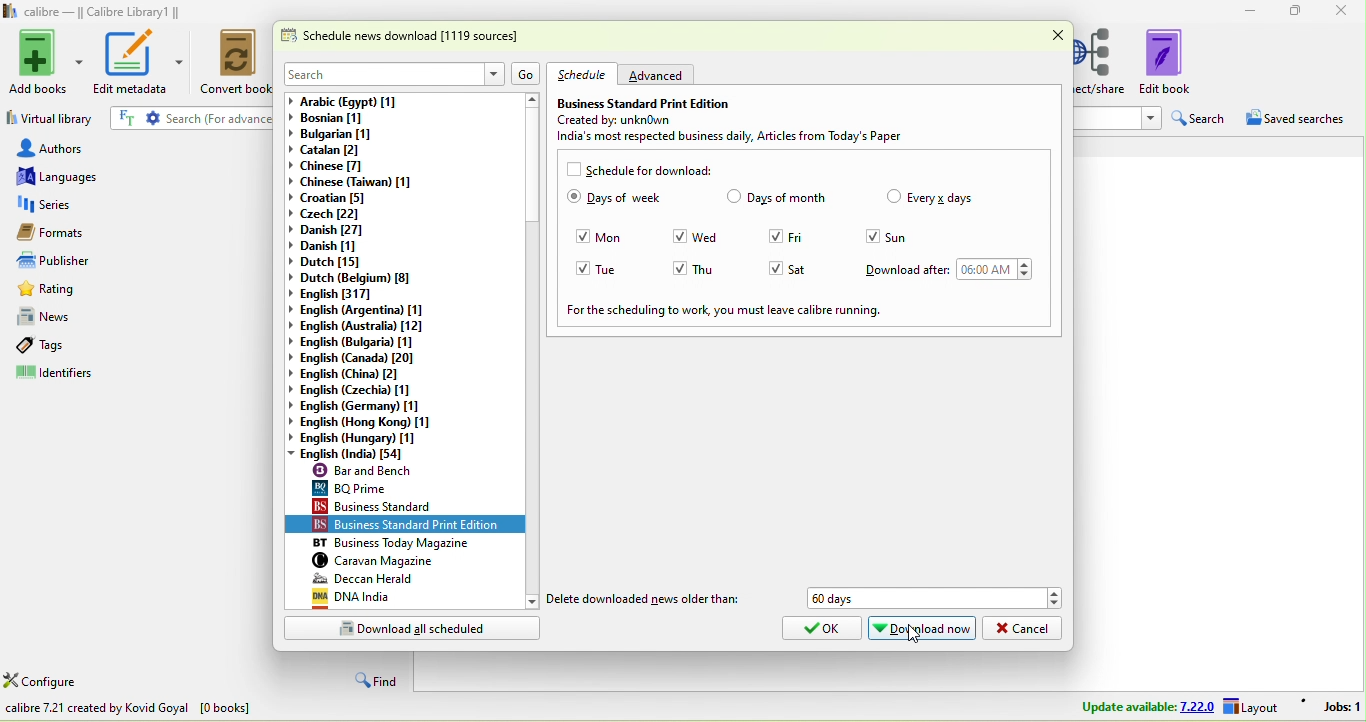 The width and height of the screenshot is (1366, 722). What do you see at coordinates (903, 238) in the screenshot?
I see `sun` at bounding box center [903, 238].